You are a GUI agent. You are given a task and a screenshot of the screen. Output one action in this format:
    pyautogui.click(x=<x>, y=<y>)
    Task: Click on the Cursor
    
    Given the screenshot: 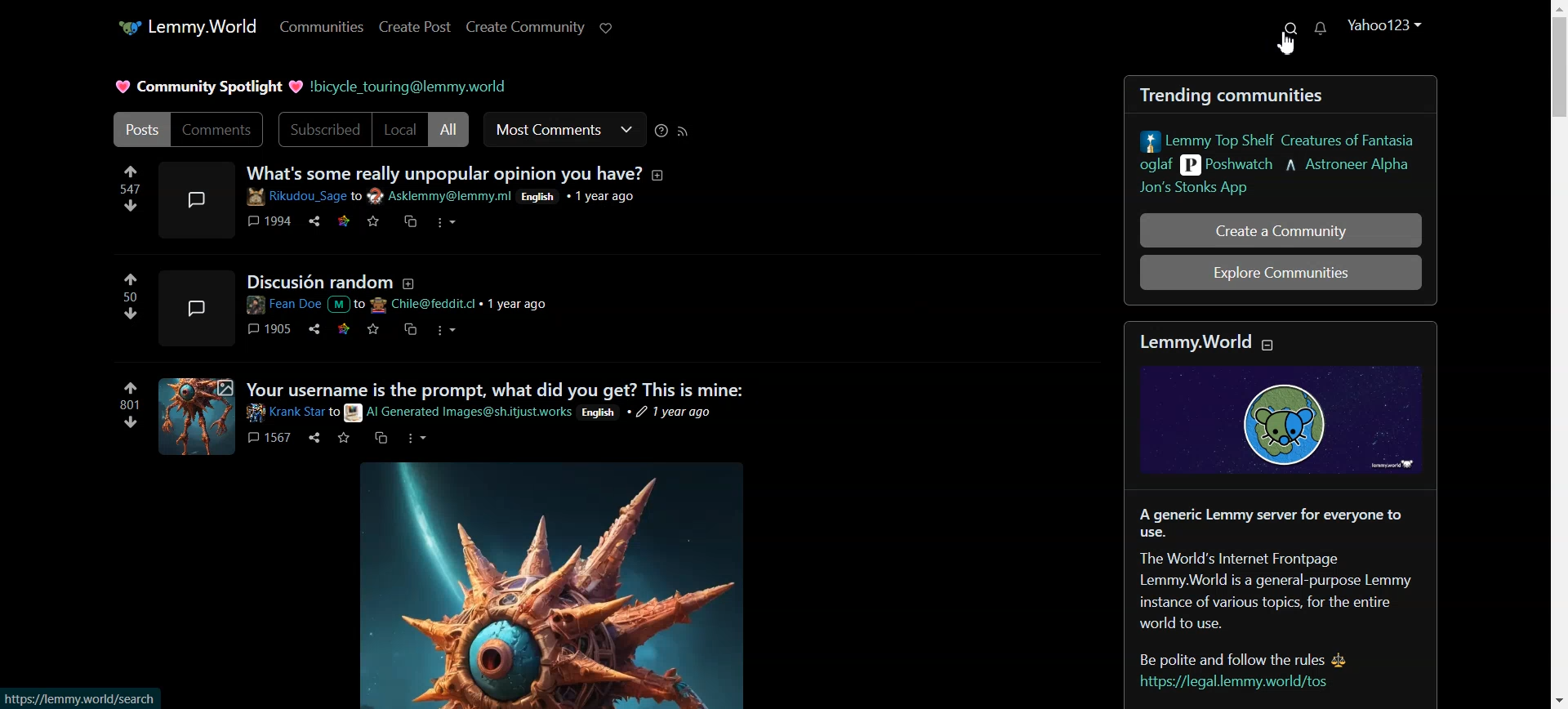 What is the action you would take?
    pyautogui.click(x=1285, y=43)
    